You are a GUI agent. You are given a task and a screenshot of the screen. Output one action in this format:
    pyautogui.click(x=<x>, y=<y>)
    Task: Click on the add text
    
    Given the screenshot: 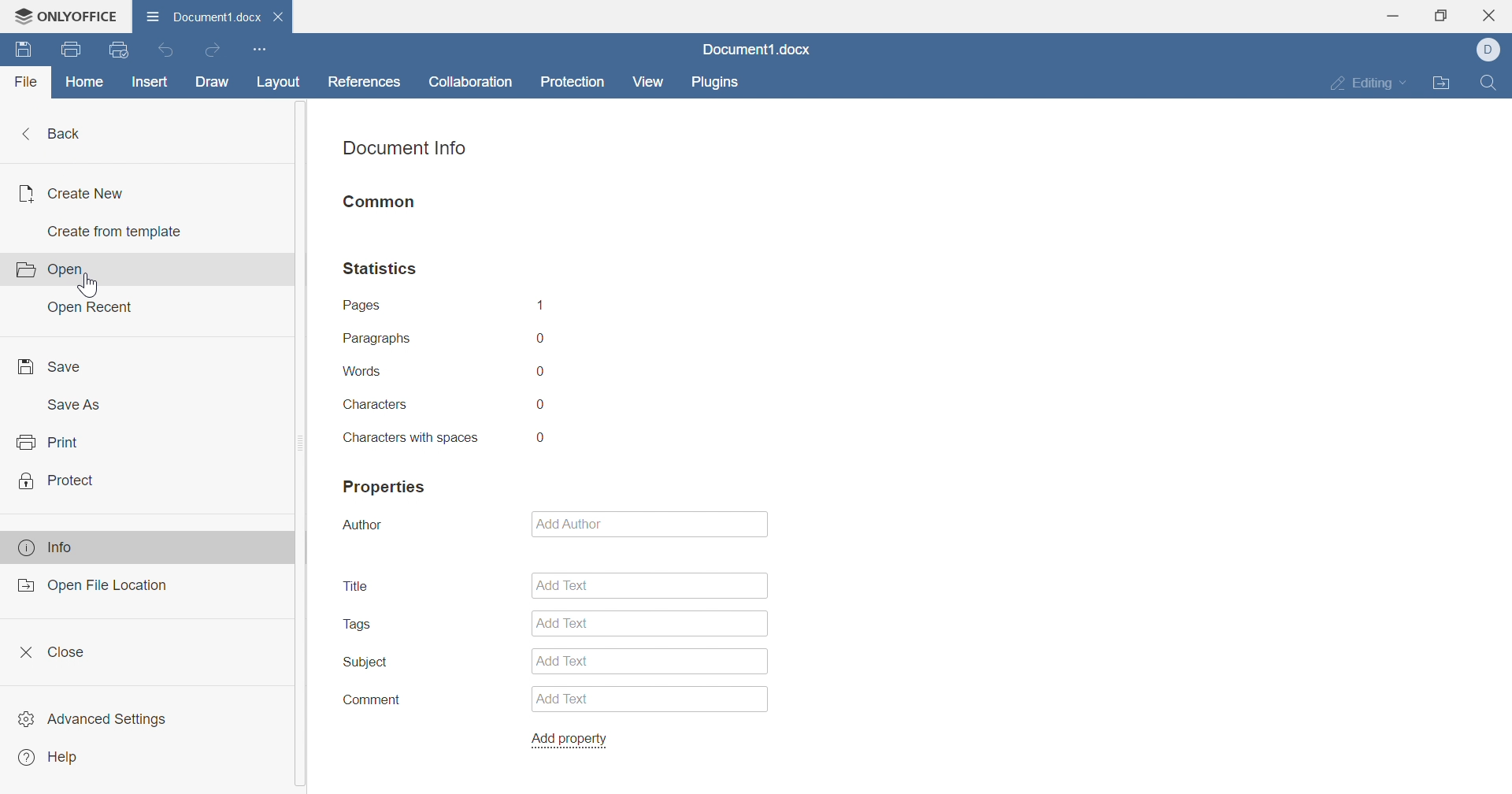 What is the action you would take?
    pyautogui.click(x=562, y=662)
    